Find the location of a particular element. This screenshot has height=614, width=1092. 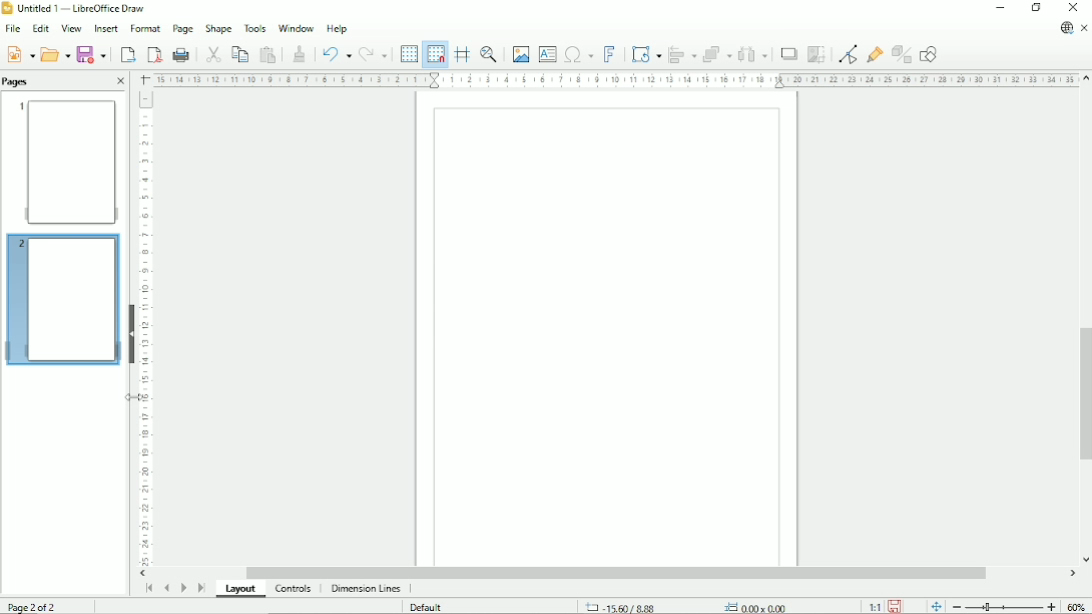

View is located at coordinates (70, 28).